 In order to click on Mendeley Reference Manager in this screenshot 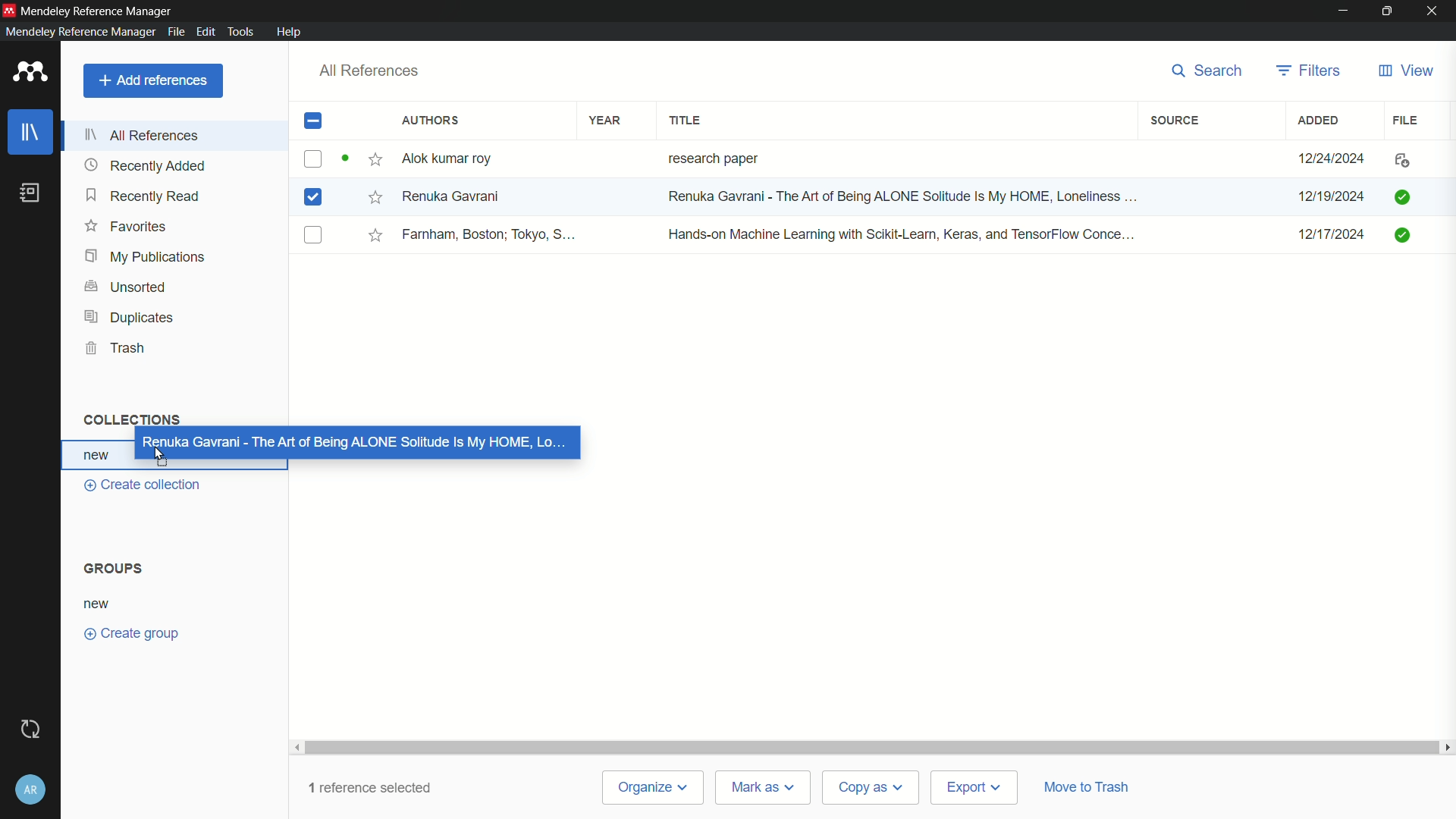, I will do `click(102, 11)`.